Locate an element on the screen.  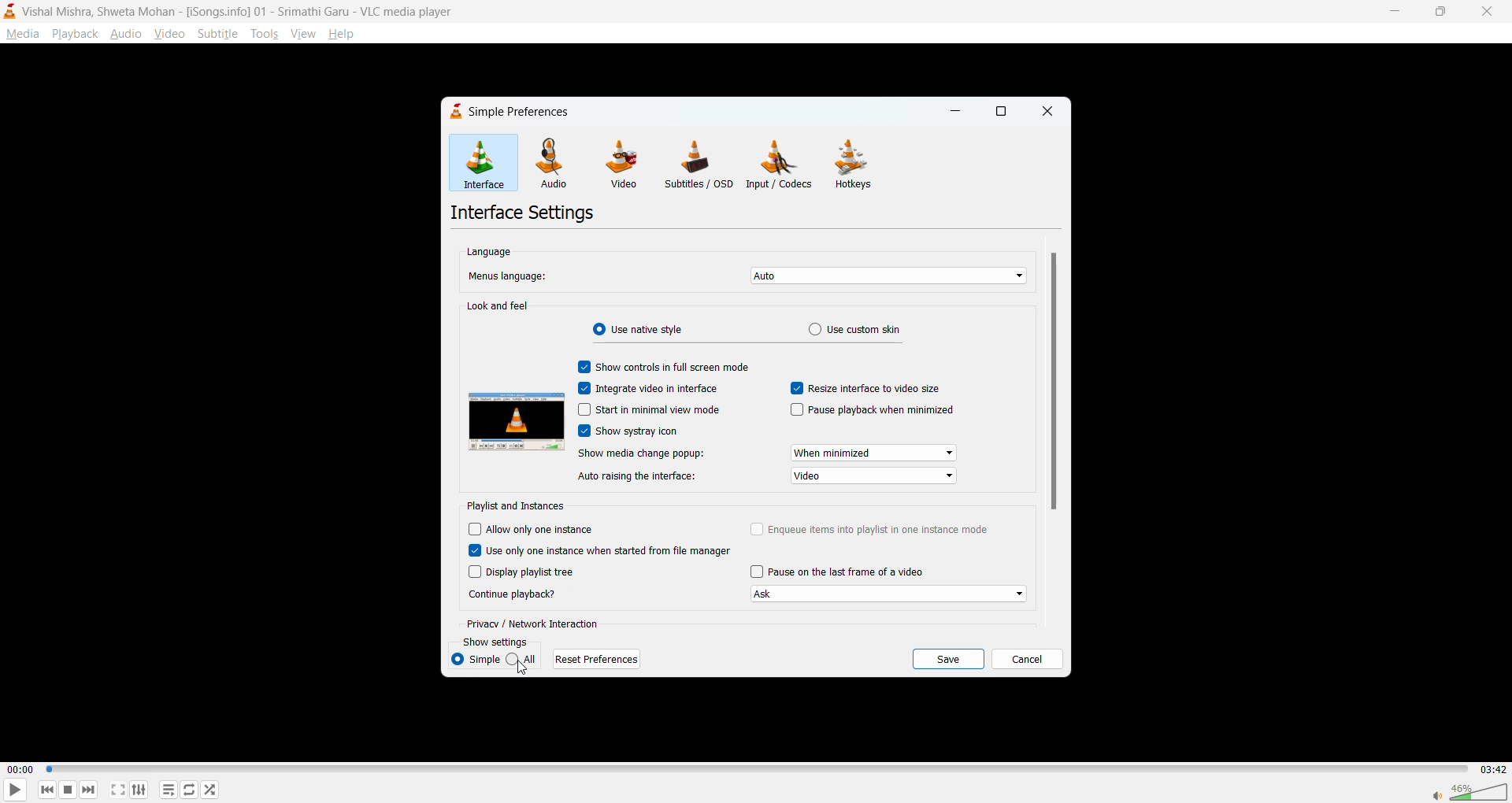
video is located at coordinates (171, 33).